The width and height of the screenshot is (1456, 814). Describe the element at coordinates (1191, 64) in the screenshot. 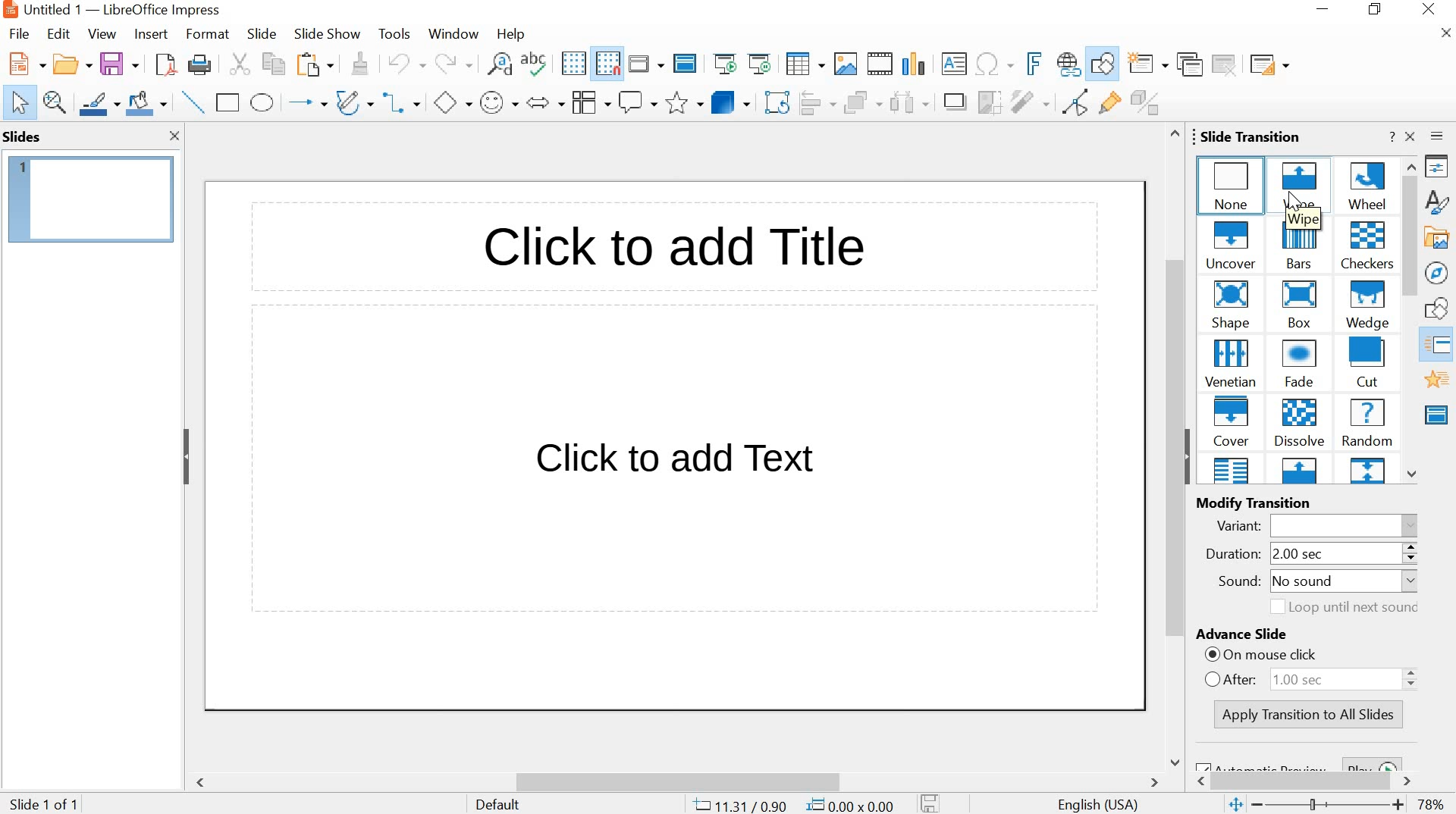

I see `Duplicate slide` at that location.